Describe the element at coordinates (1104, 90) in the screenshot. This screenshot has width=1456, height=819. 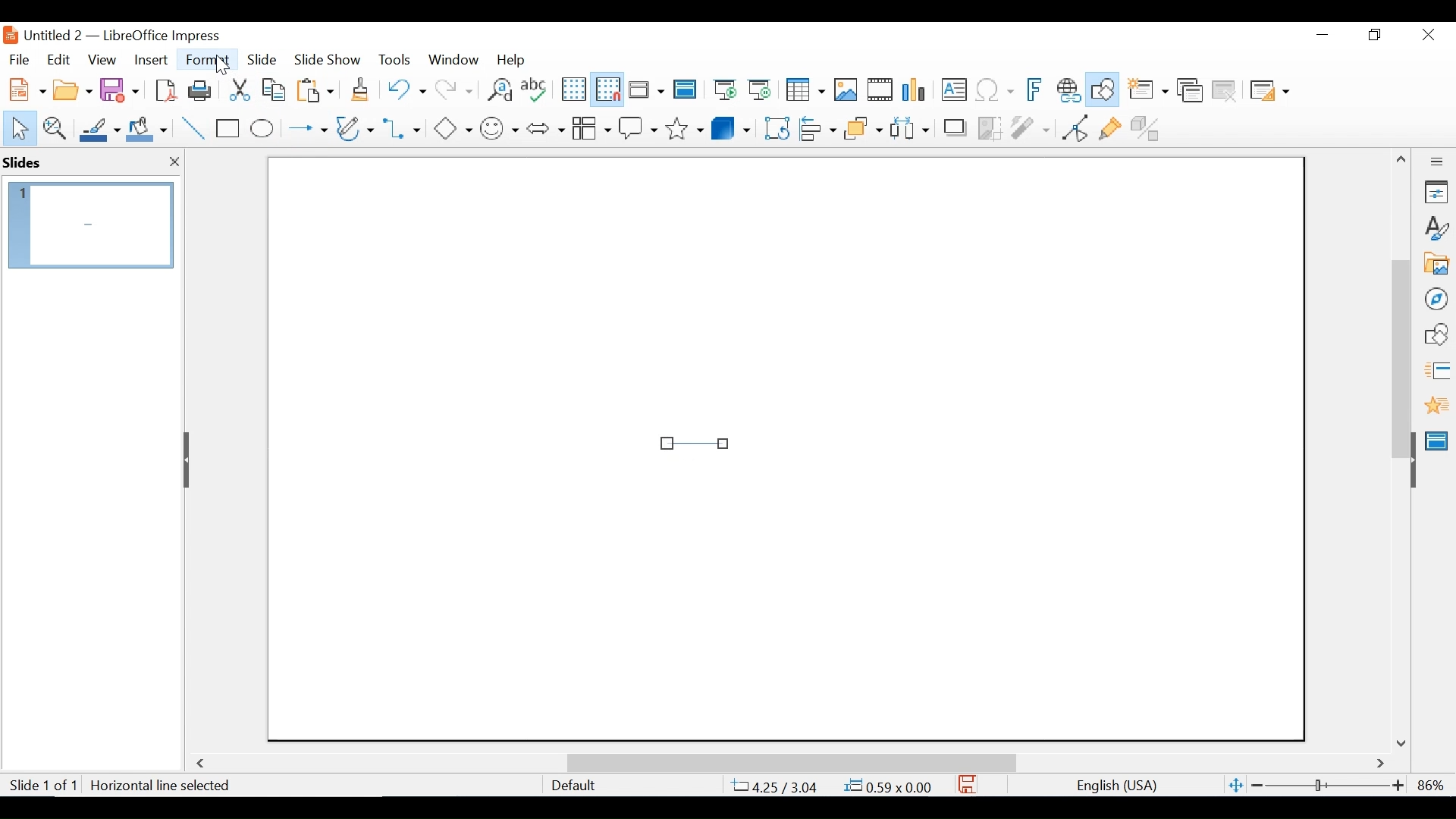
I see `Show Draw Functions` at that location.